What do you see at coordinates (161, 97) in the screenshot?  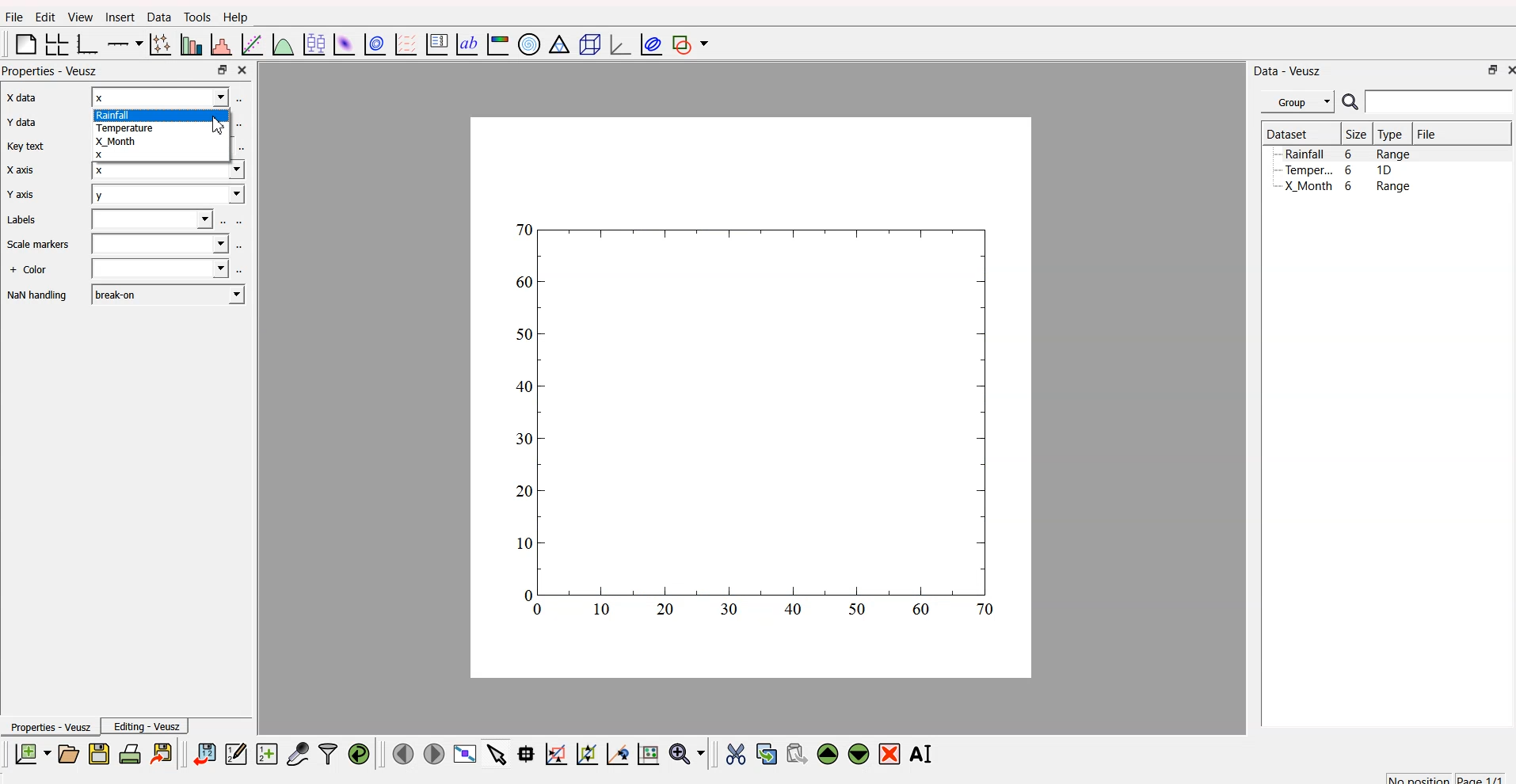 I see `x` at bounding box center [161, 97].